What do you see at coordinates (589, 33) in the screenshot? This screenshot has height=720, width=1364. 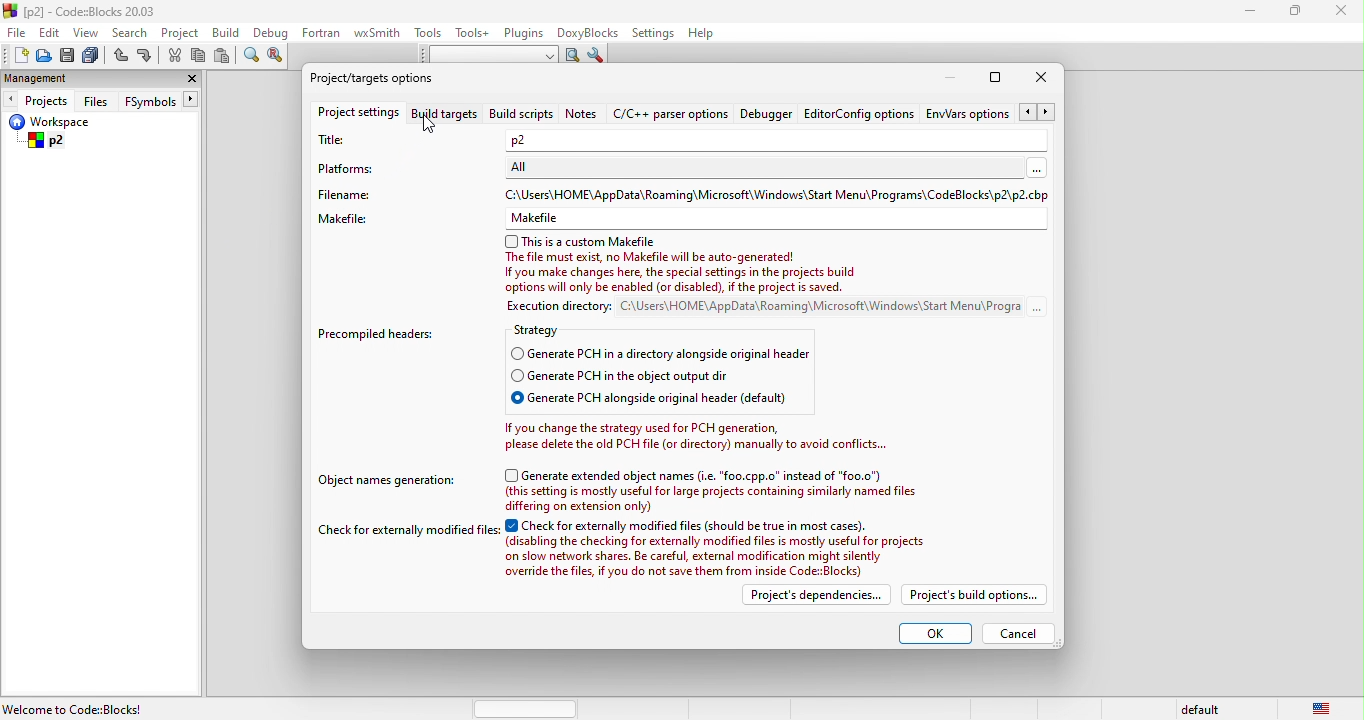 I see `doxyblocks` at bounding box center [589, 33].